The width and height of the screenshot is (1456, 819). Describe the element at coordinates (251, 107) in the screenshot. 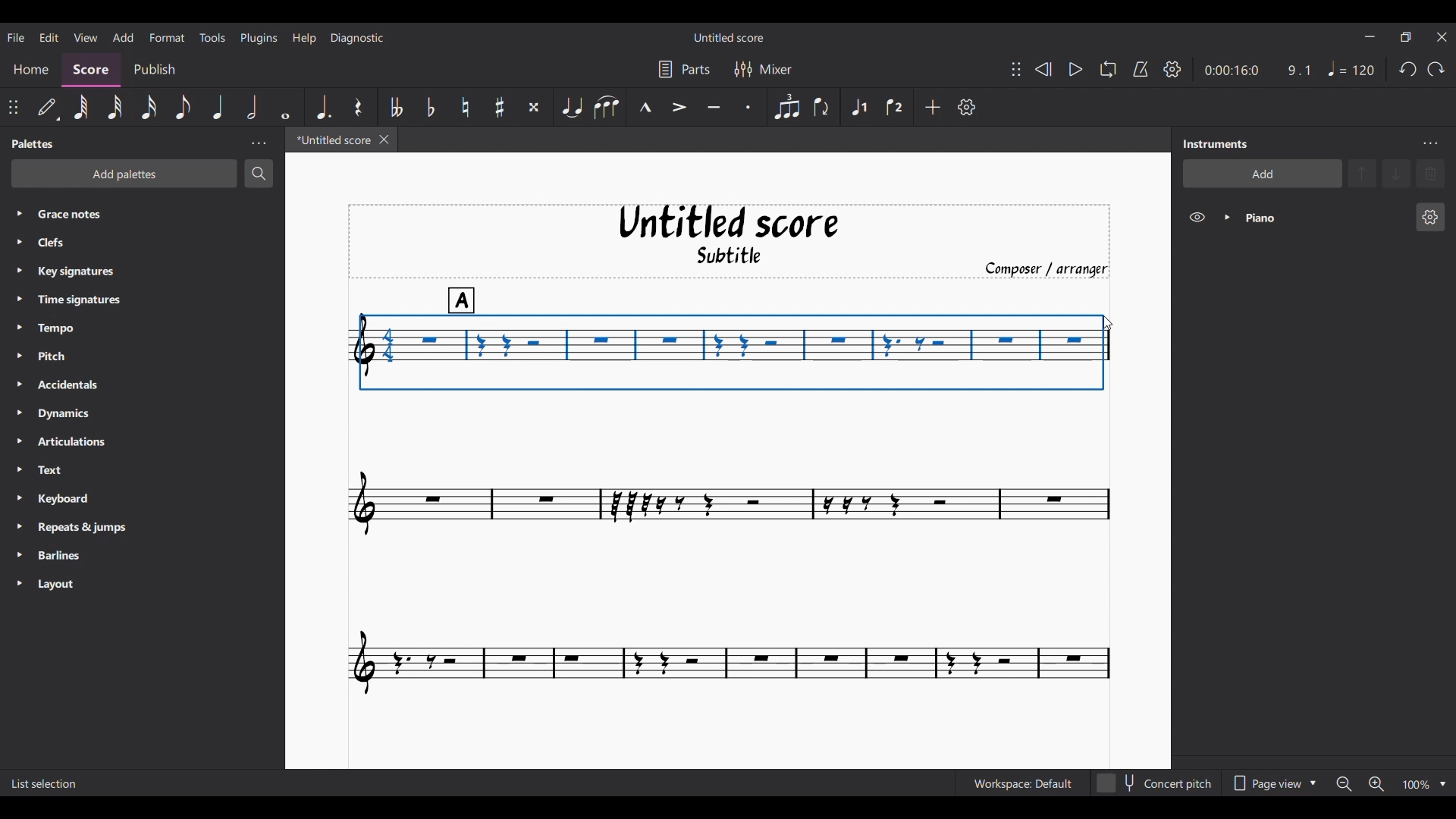

I see `Half note` at that location.